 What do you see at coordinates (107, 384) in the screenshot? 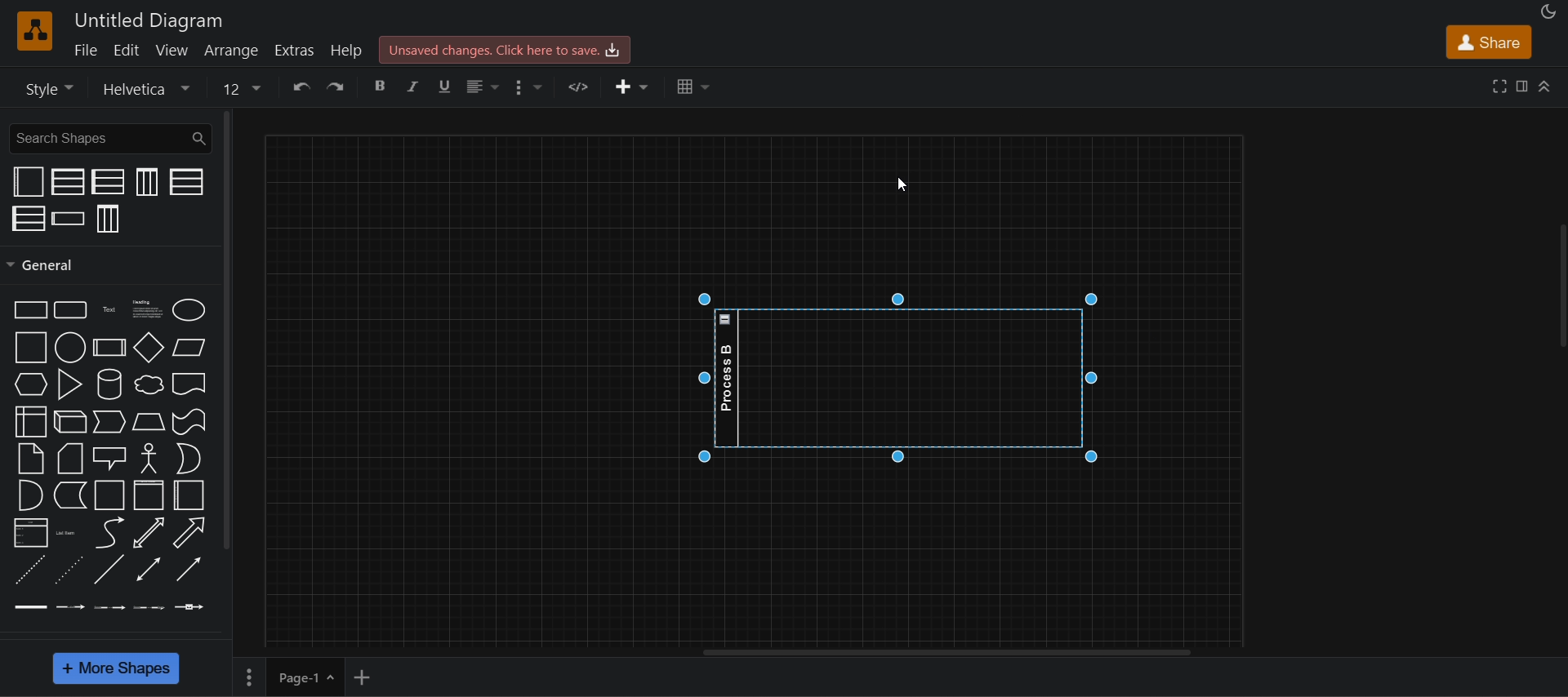
I see `cylinder` at bounding box center [107, 384].